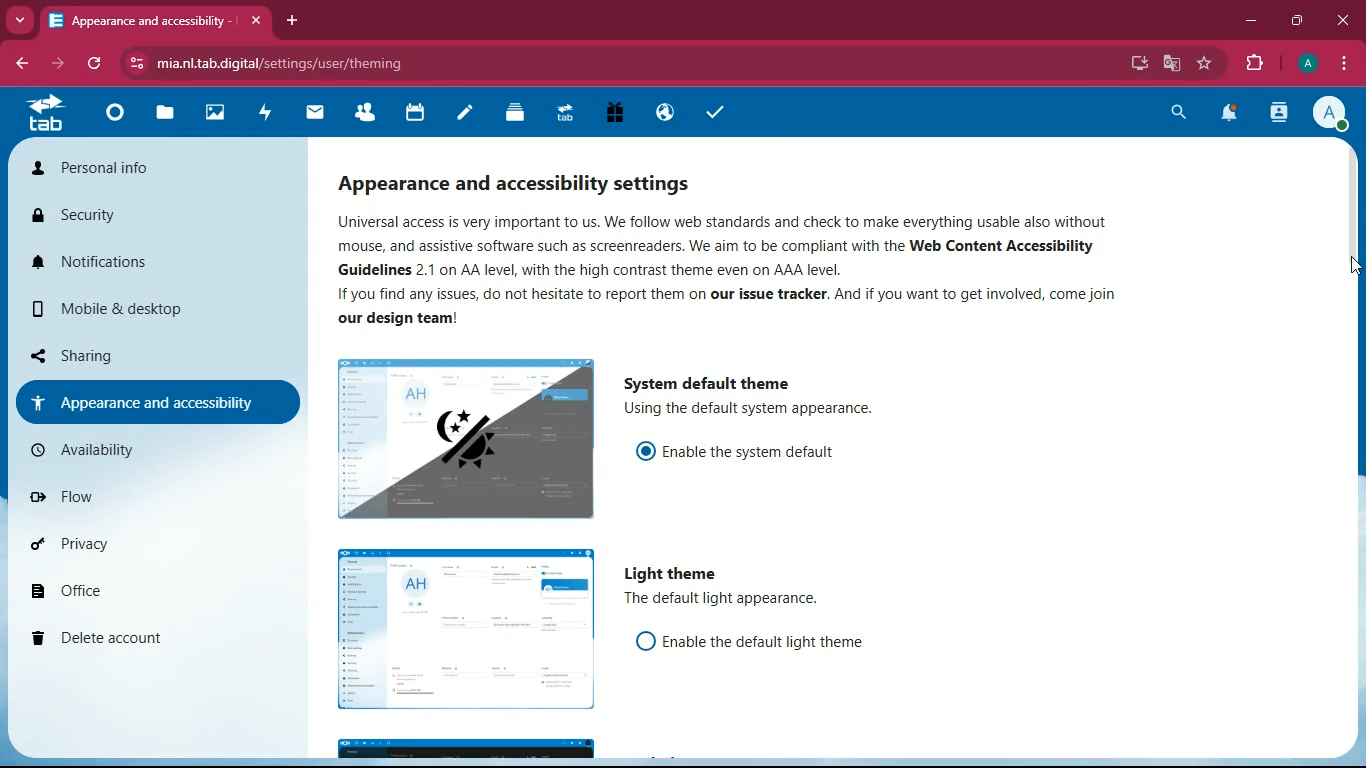 The width and height of the screenshot is (1366, 768). I want to click on public, so click(663, 116).